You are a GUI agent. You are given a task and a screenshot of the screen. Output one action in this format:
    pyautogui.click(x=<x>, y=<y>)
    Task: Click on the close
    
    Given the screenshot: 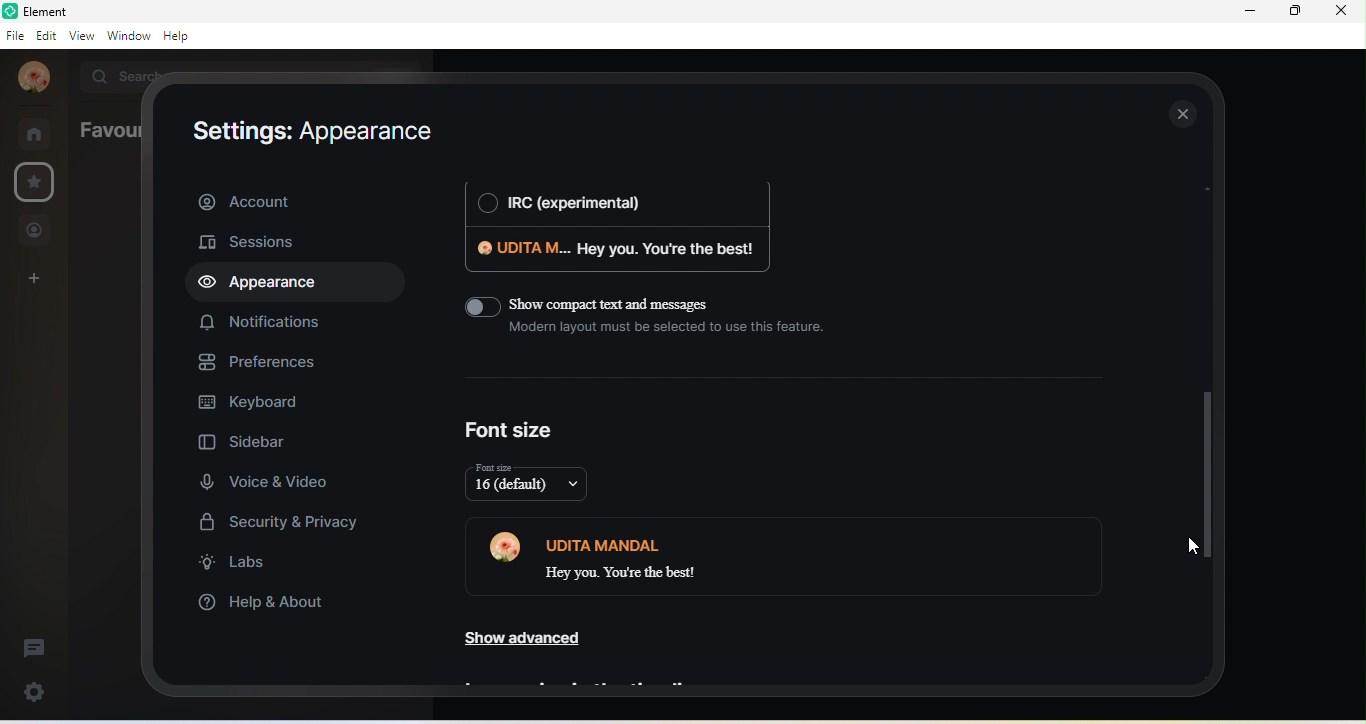 What is the action you would take?
    pyautogui.click(x=1185, y=113)
    